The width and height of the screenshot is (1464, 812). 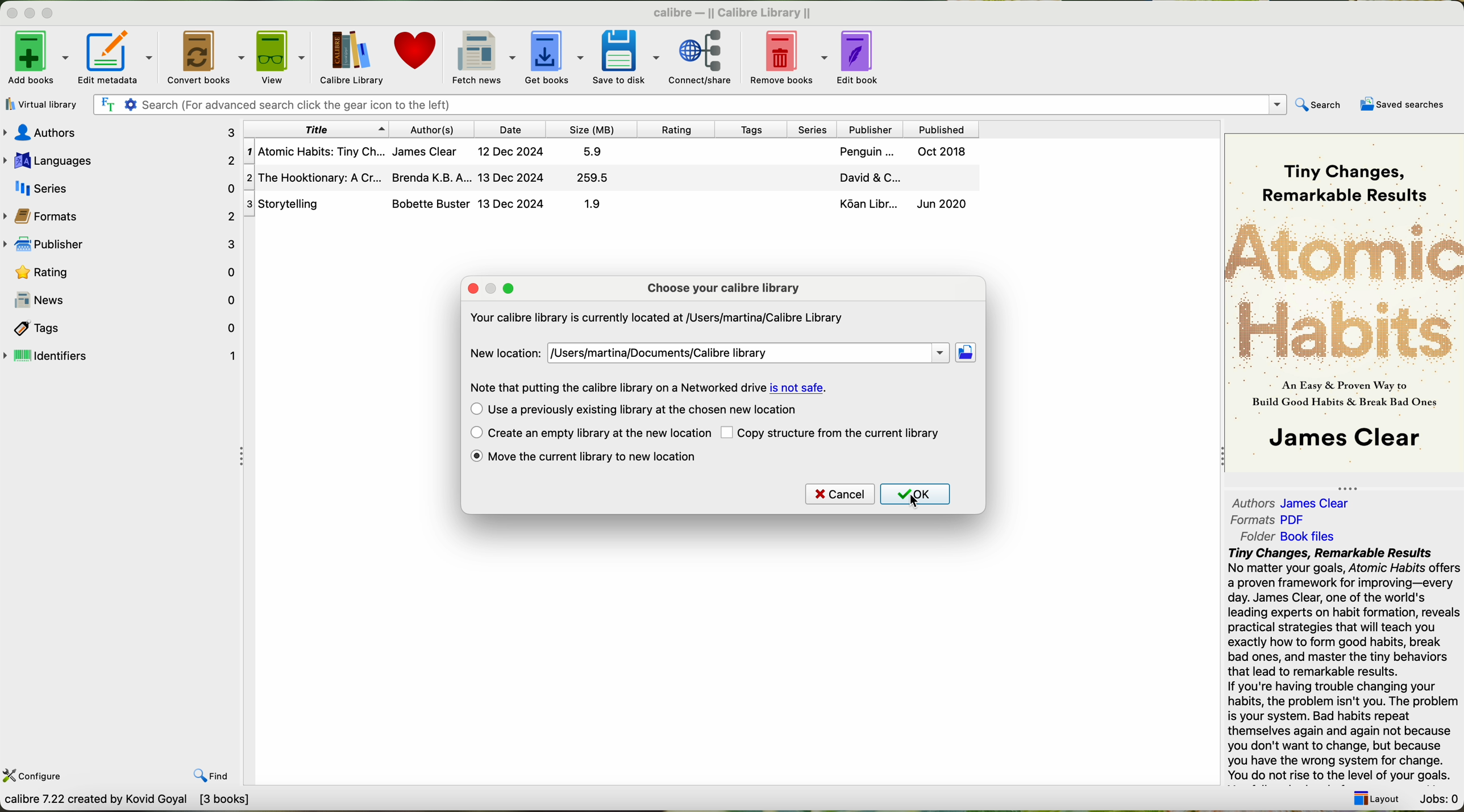 What do you see at coordinates (1354, 485) in the screenshot?
I see `collapse` at bounding box center [1354, 485].